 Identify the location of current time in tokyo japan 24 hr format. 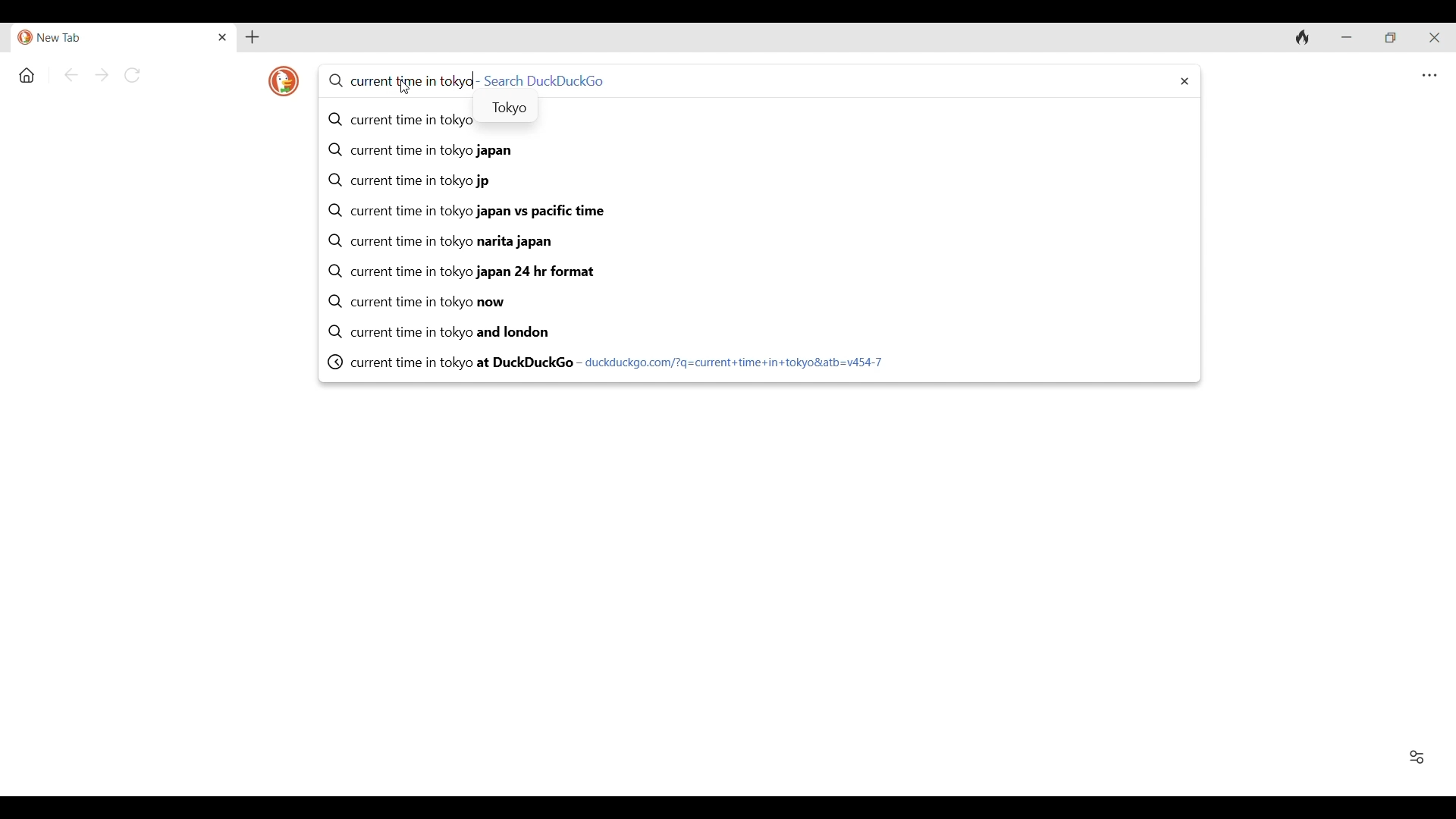
(460, 271).